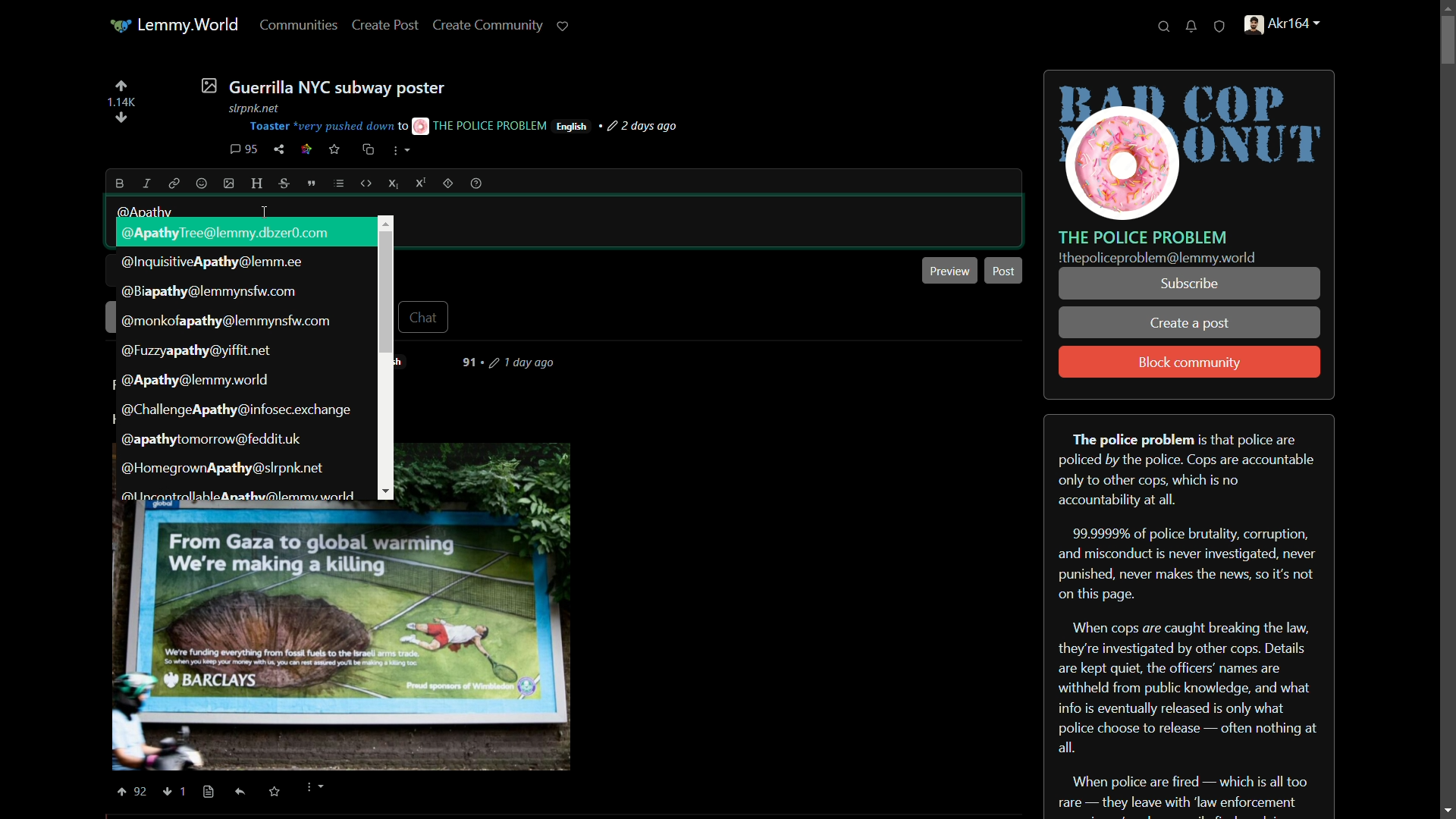  I want to click on number of votes, so click(121, 102).